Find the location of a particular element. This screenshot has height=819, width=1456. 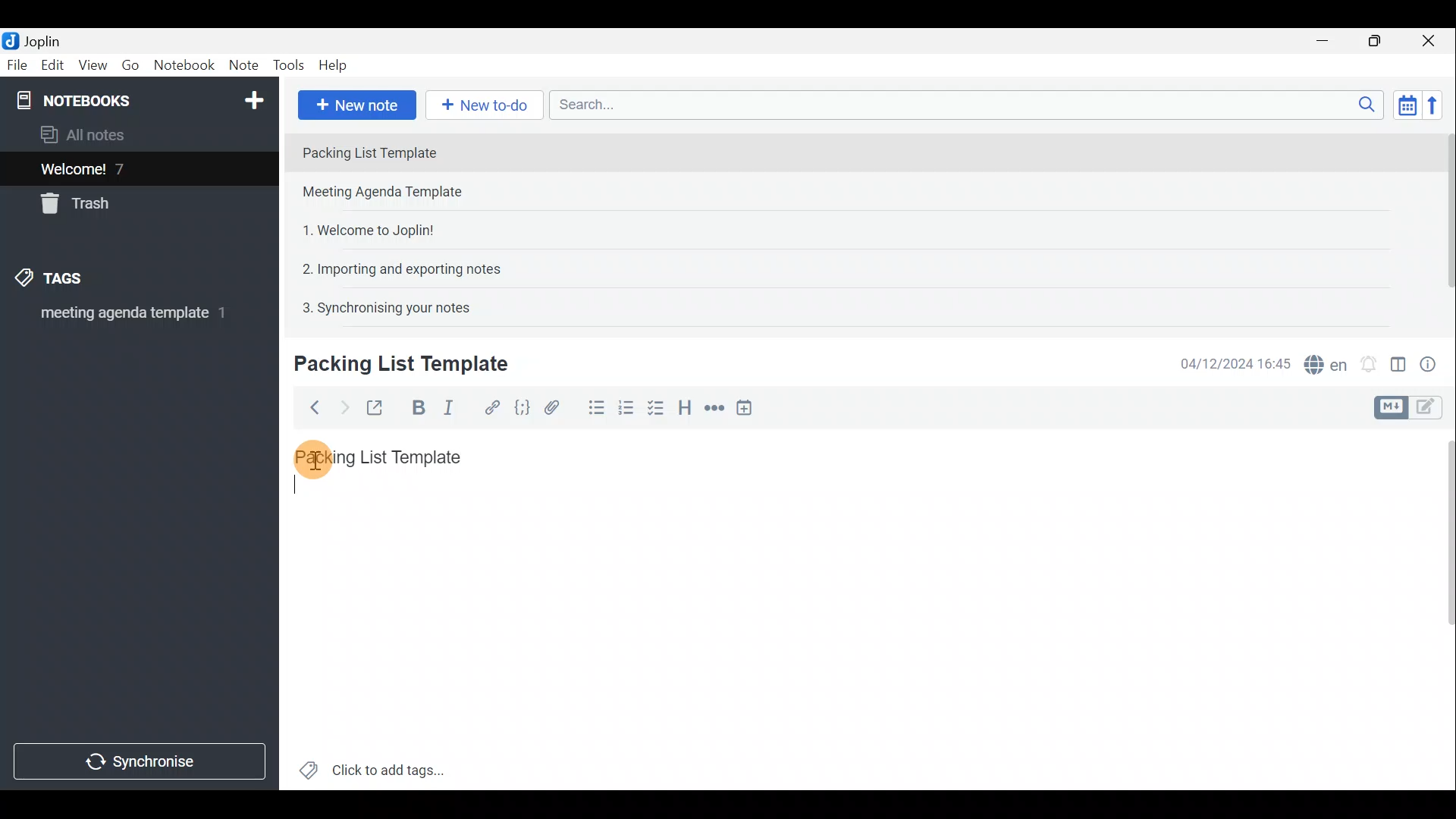

Minimise is located at coordinates (1330, 43).